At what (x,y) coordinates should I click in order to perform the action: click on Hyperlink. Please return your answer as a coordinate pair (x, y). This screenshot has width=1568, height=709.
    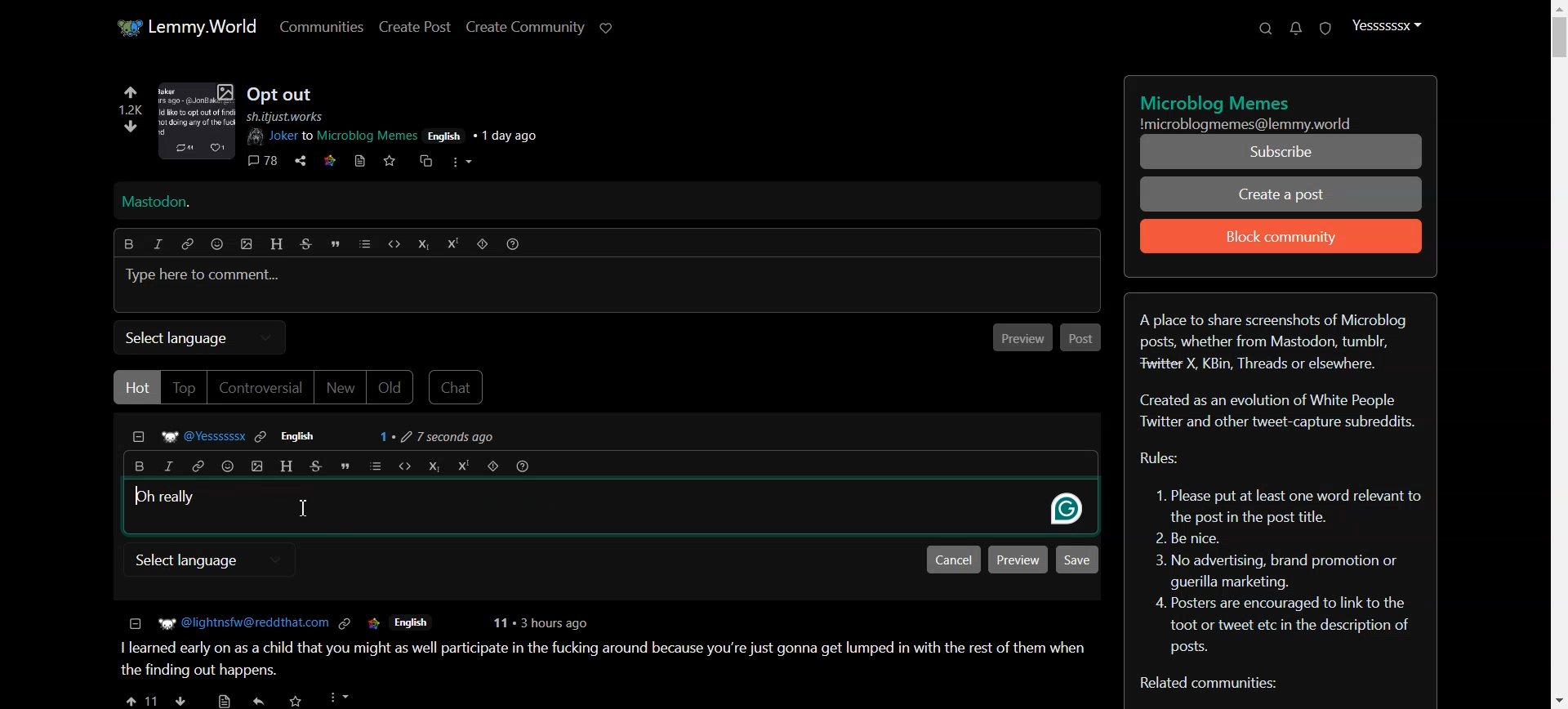
    Looking at the image, I should click on (189, 243).